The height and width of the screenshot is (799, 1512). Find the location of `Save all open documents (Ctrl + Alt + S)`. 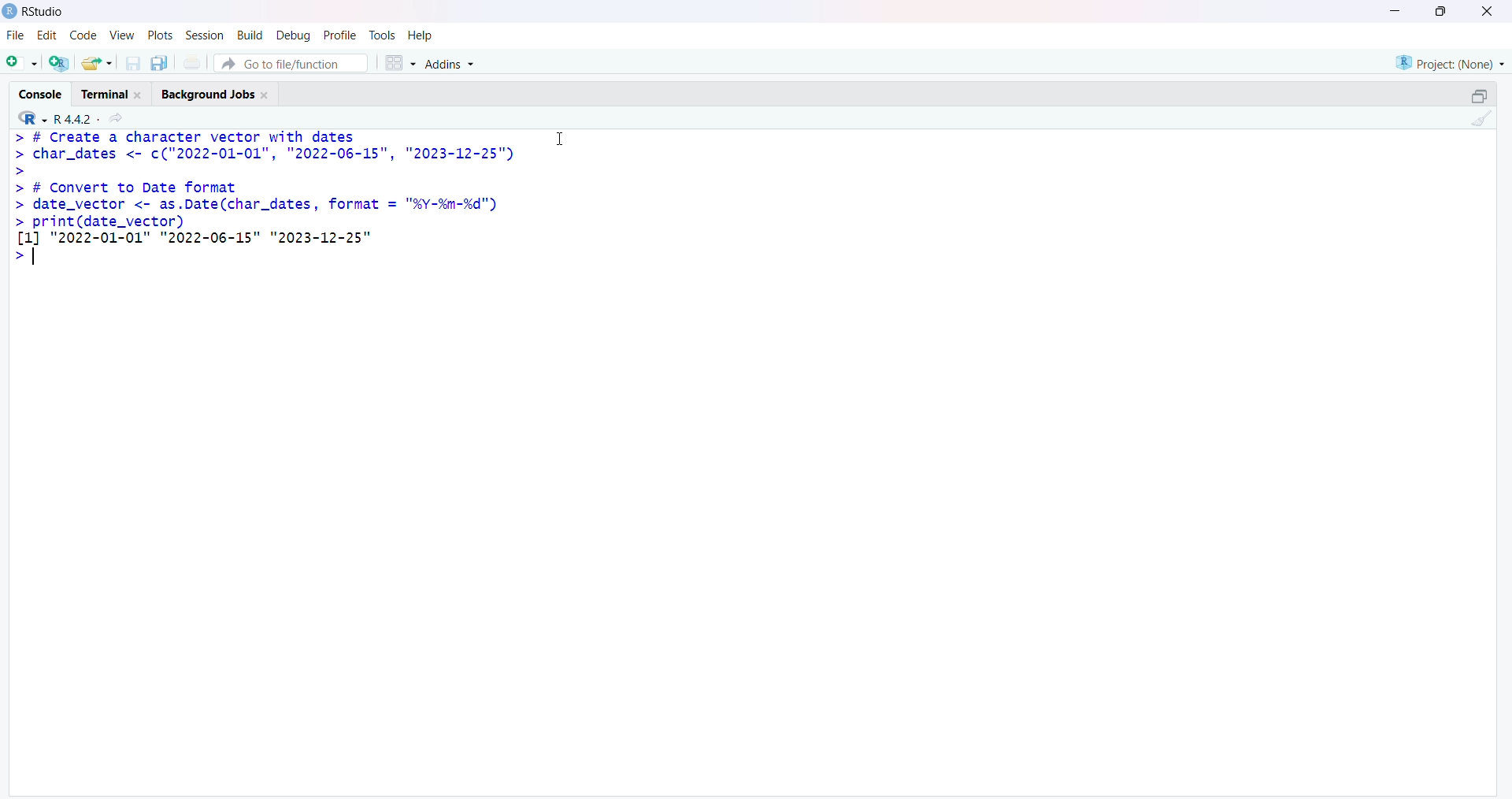

Save all open documents (Ctrl + Alt + S) is located at coordinates (164, 61).